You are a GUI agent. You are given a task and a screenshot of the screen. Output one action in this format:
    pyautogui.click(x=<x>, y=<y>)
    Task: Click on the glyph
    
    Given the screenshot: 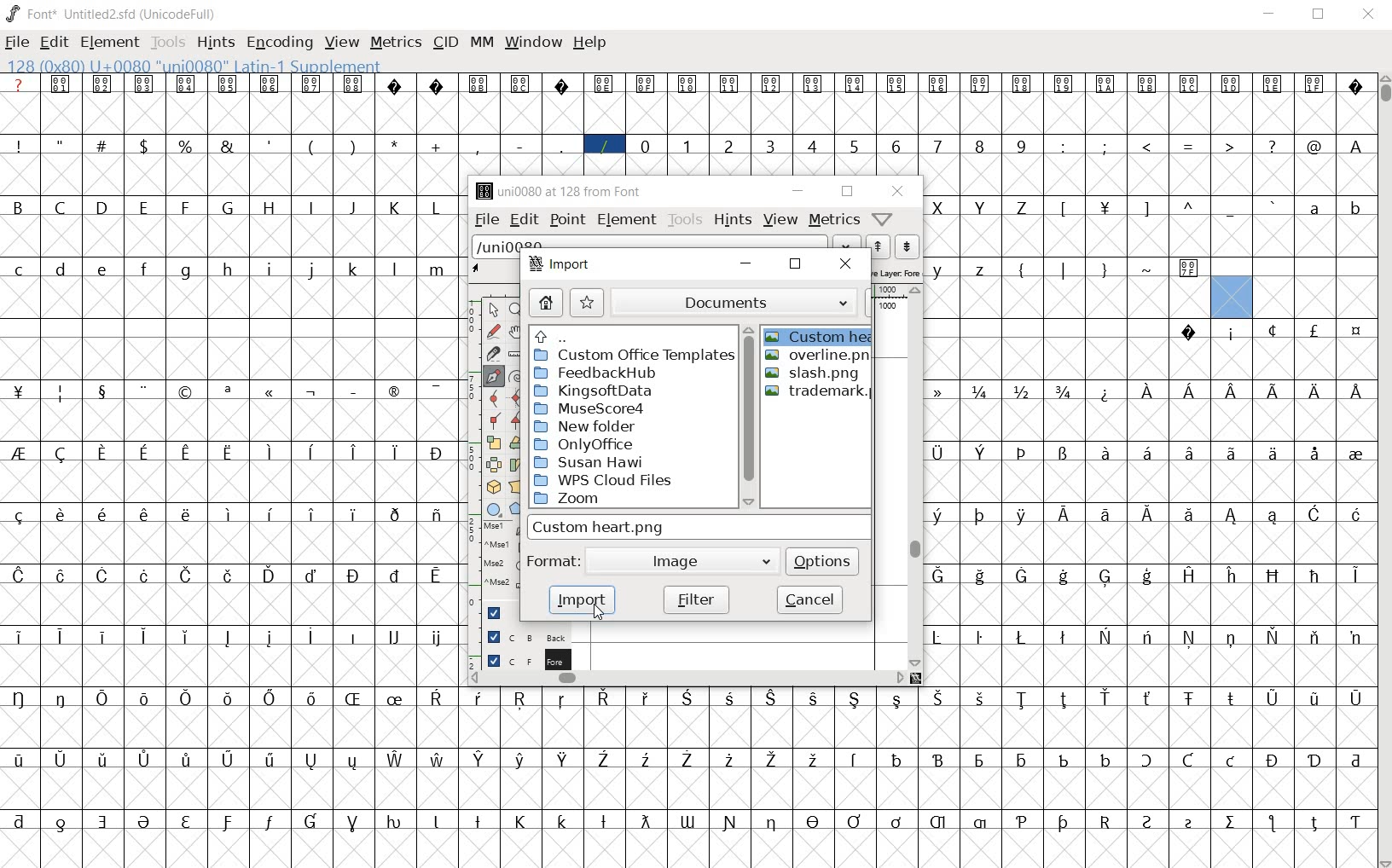 What is the action you would take?
    pyautogui.click(x=60, y=269)
    